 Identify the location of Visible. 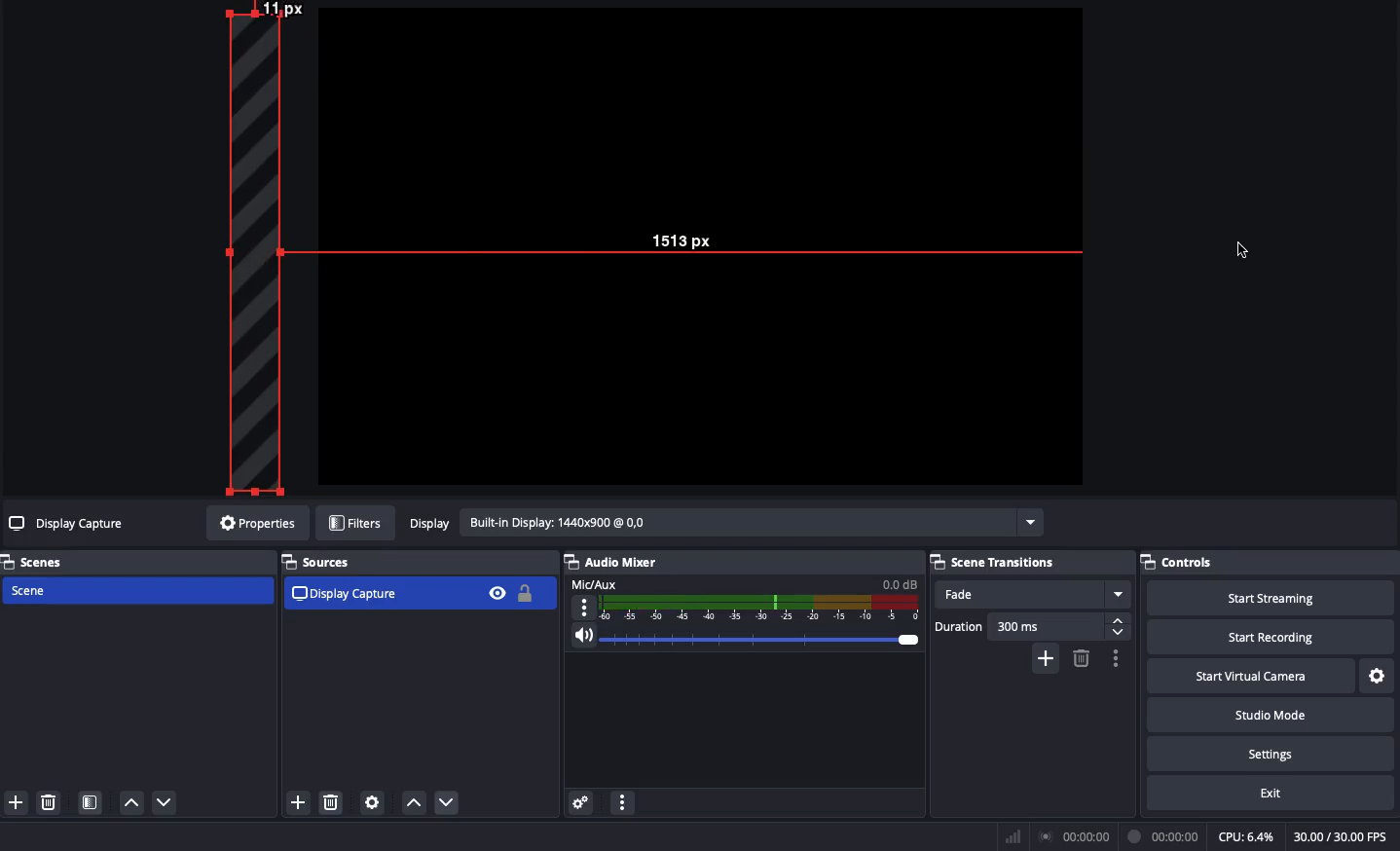
(497, 592).